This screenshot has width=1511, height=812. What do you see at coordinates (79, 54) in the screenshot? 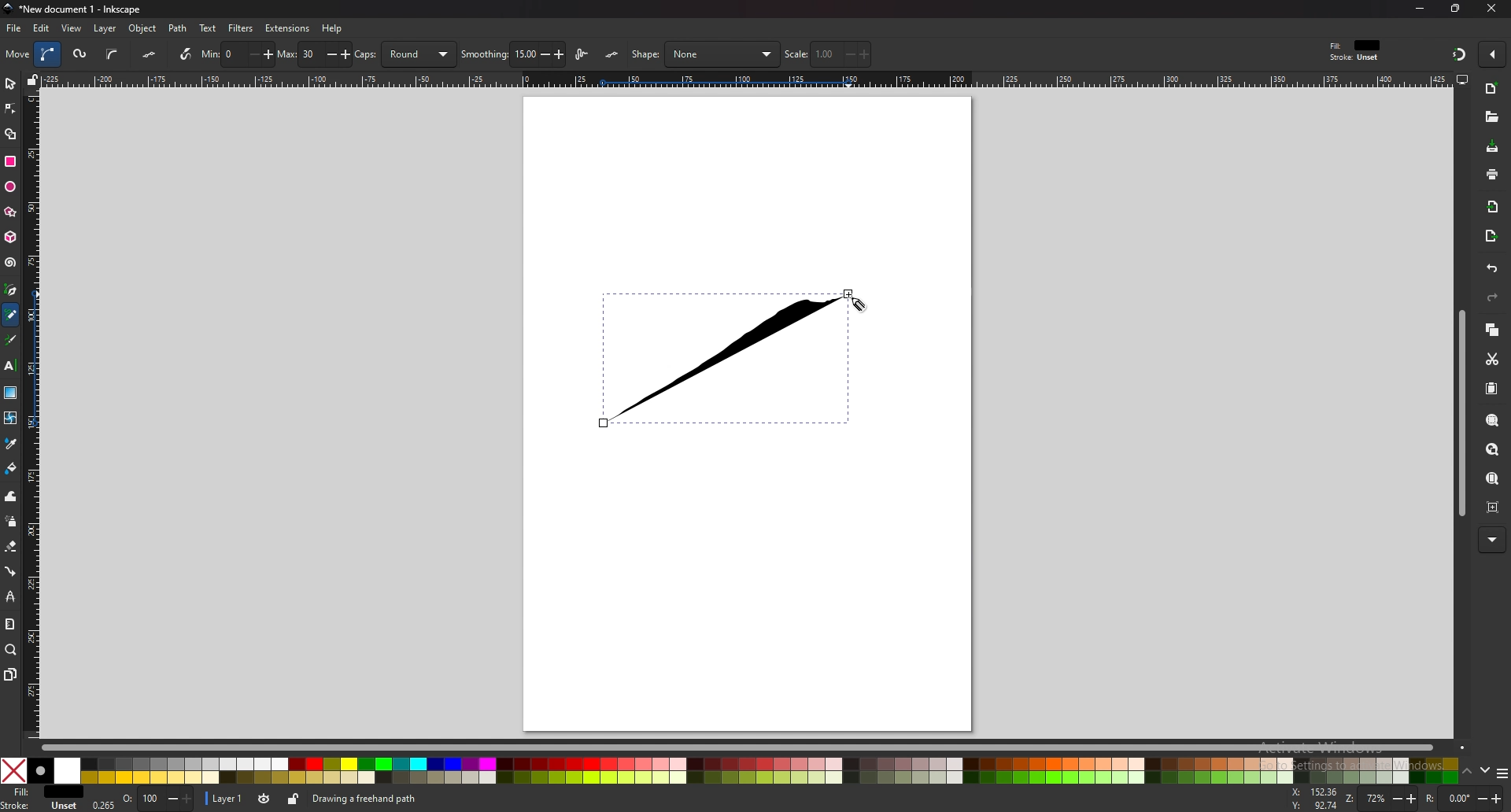
I see `spiro path` at bounding box center [79, 54].